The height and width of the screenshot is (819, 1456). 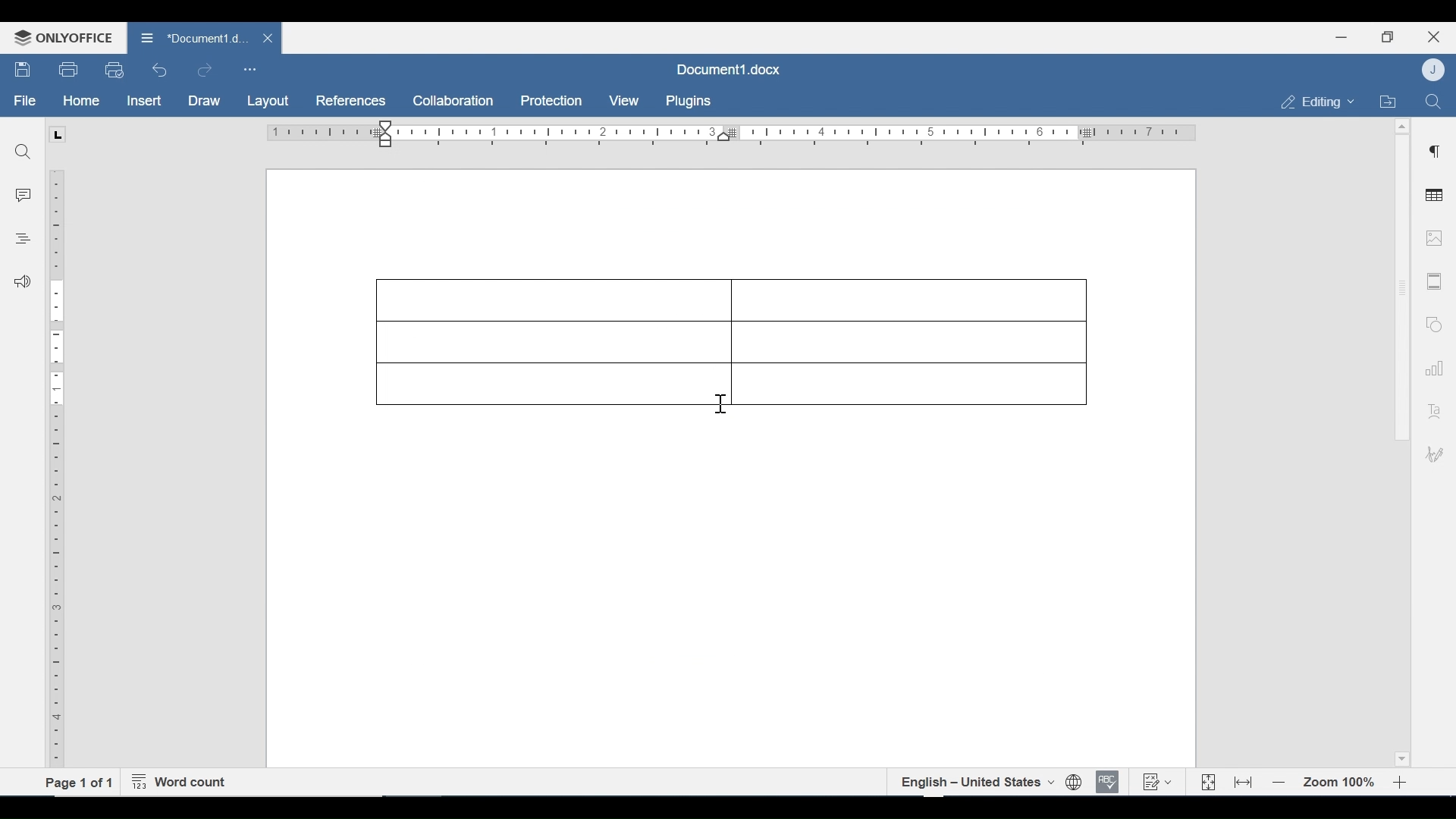 What do you see at coordinates (249, 69) in the screenshot?
I see `Customize Quick Access Toolbar` at bounding box center [249, 69].